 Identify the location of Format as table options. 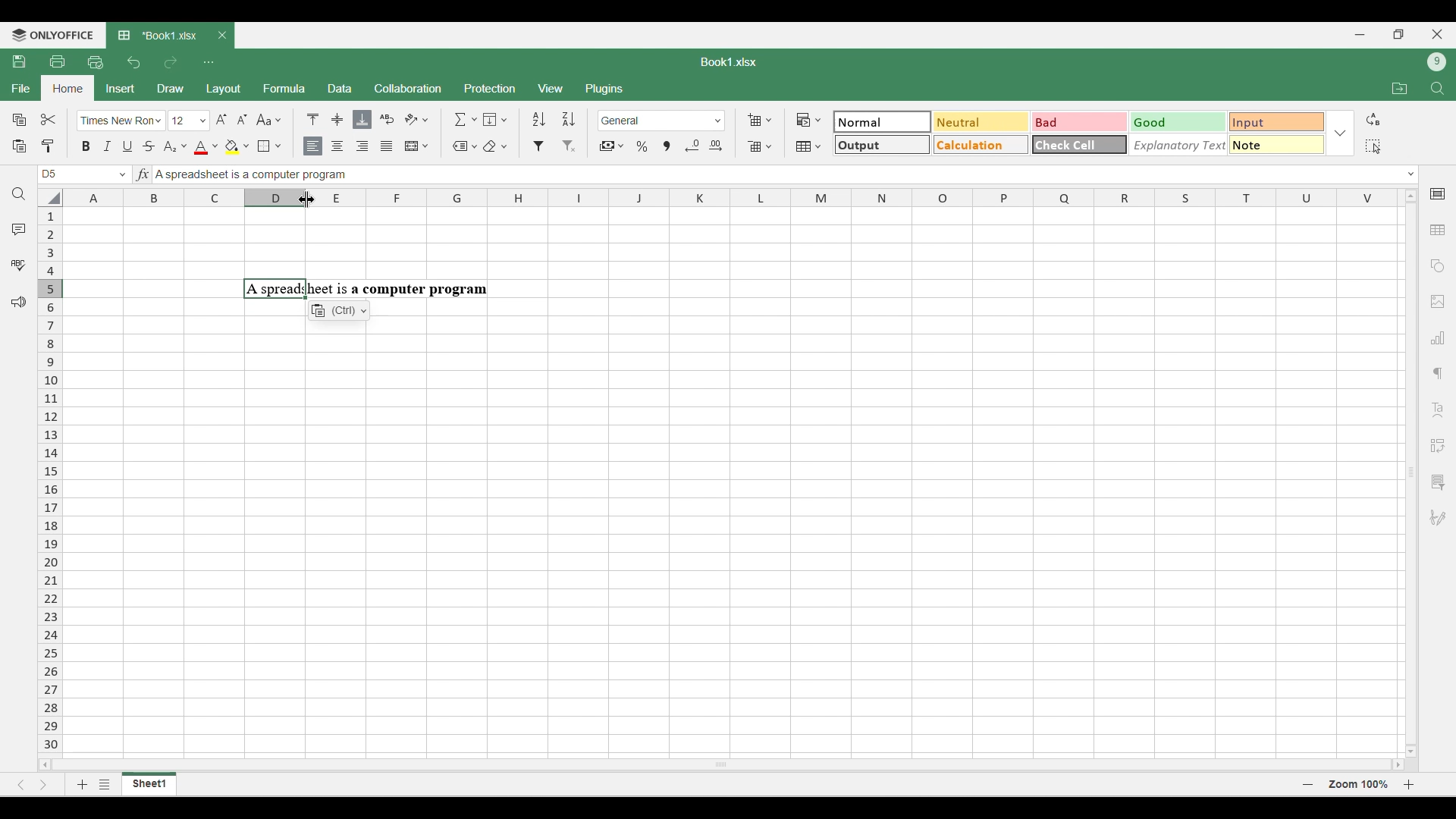
(808, 146).